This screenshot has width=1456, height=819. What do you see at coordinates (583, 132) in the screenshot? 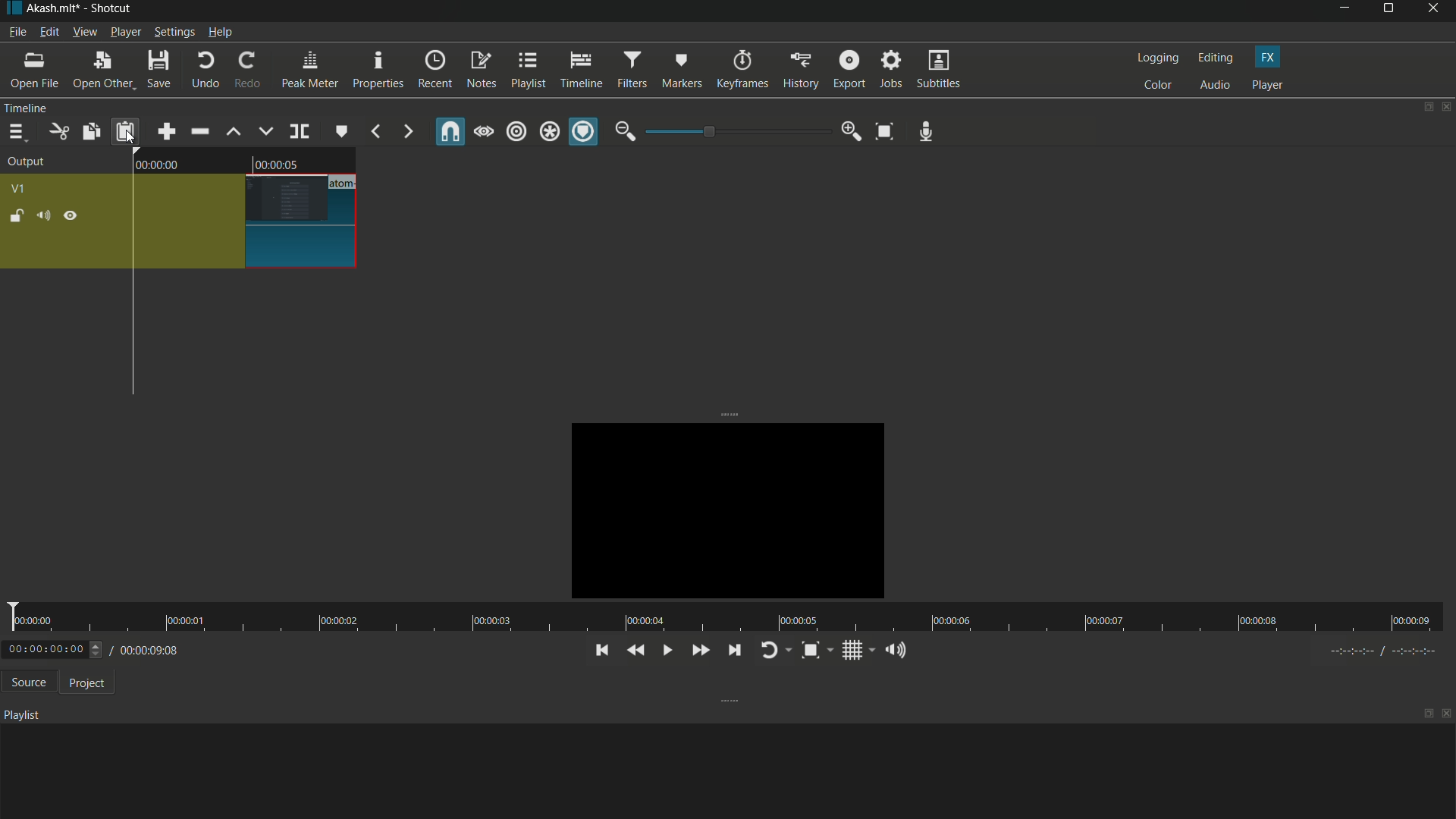
I see `ripple marker` at bounding box center [583, 132].